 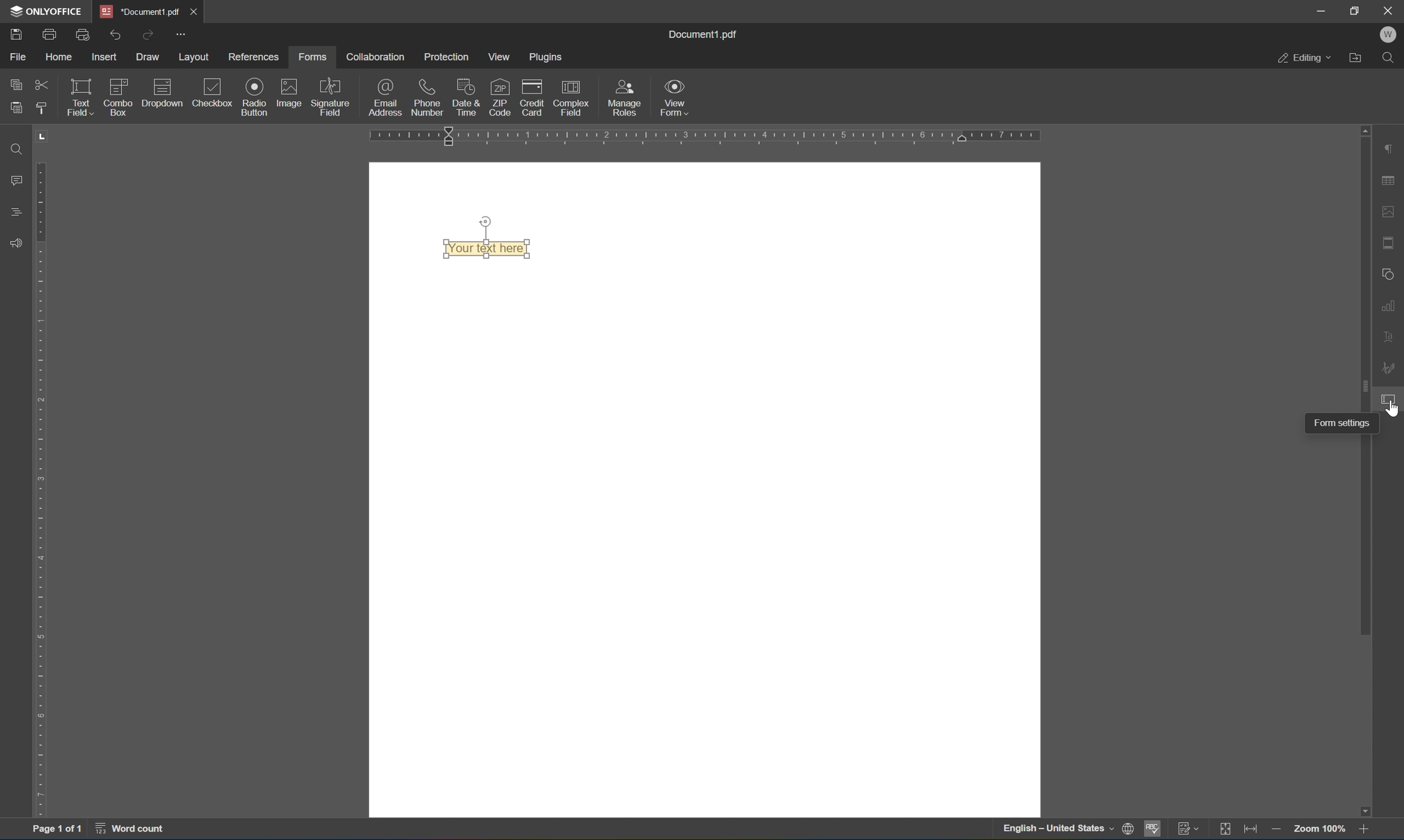 What do you see at coordinates (700, 134) in the screenshot?
I see `ruler` at bounding box center [700, 134].